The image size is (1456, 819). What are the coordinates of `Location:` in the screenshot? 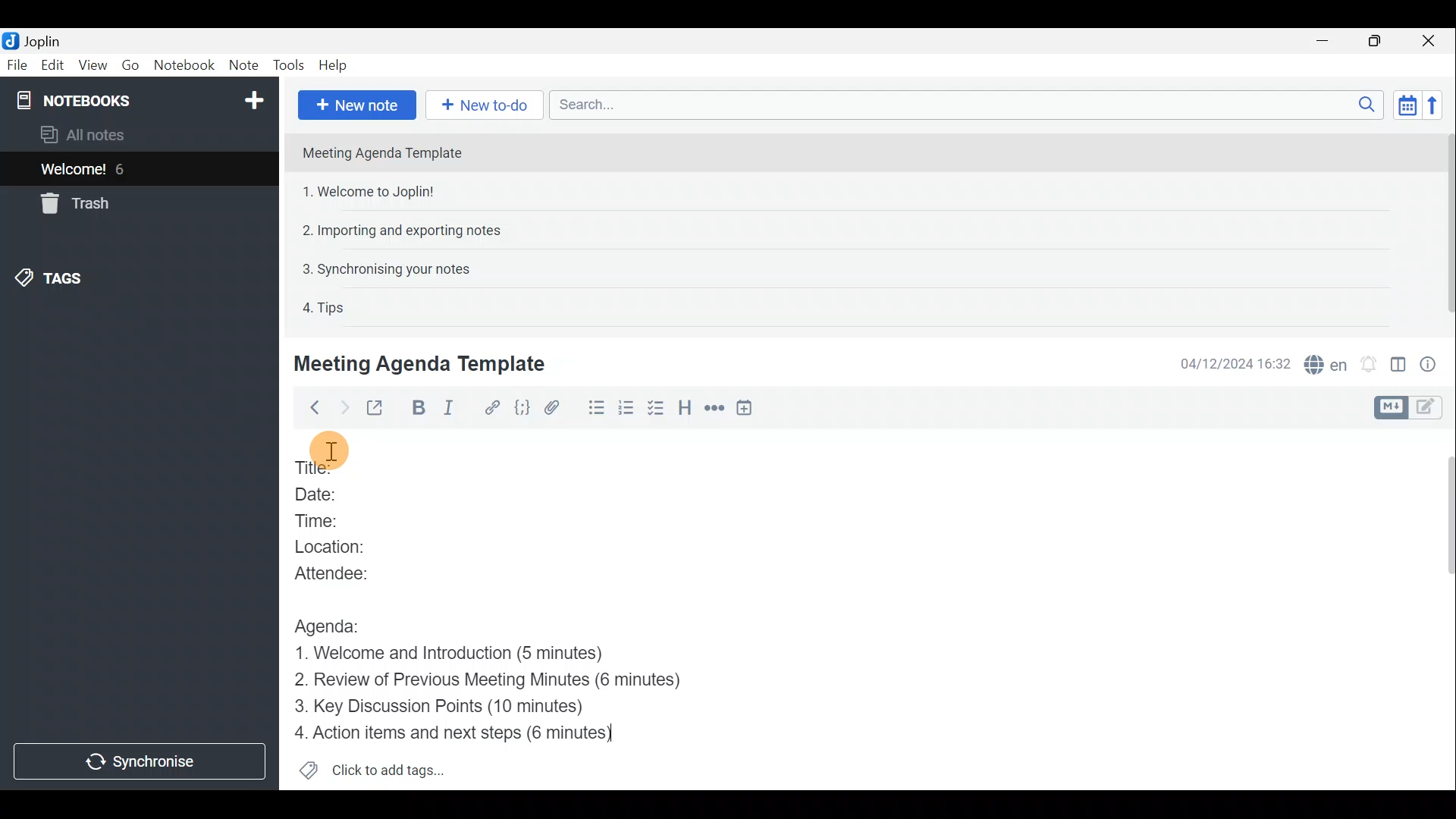 It's located at (350, 546).